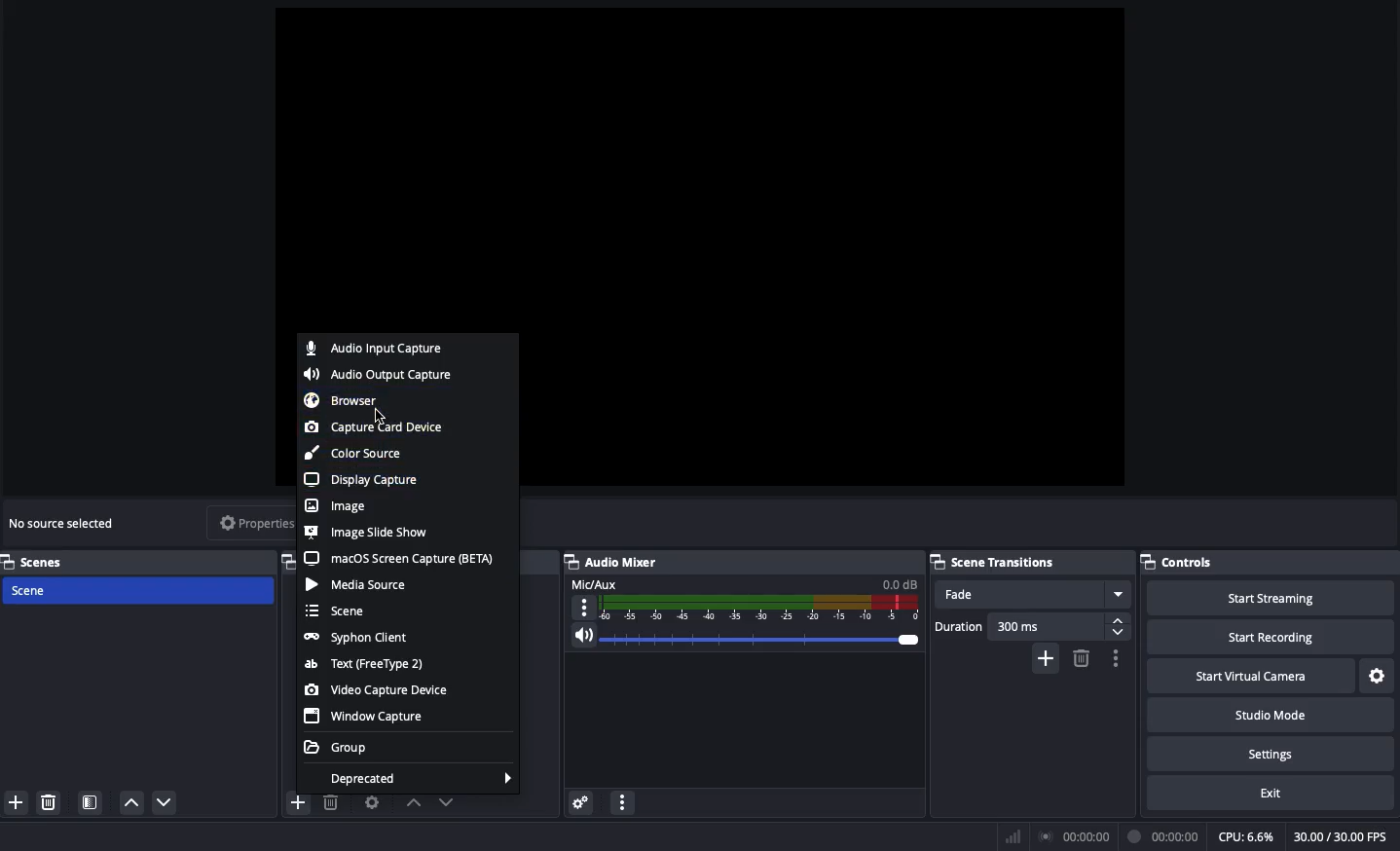  What do you see at coordinates (743, 637) in the screenshot?
I see `Volume` at bounding box center [743, 637].